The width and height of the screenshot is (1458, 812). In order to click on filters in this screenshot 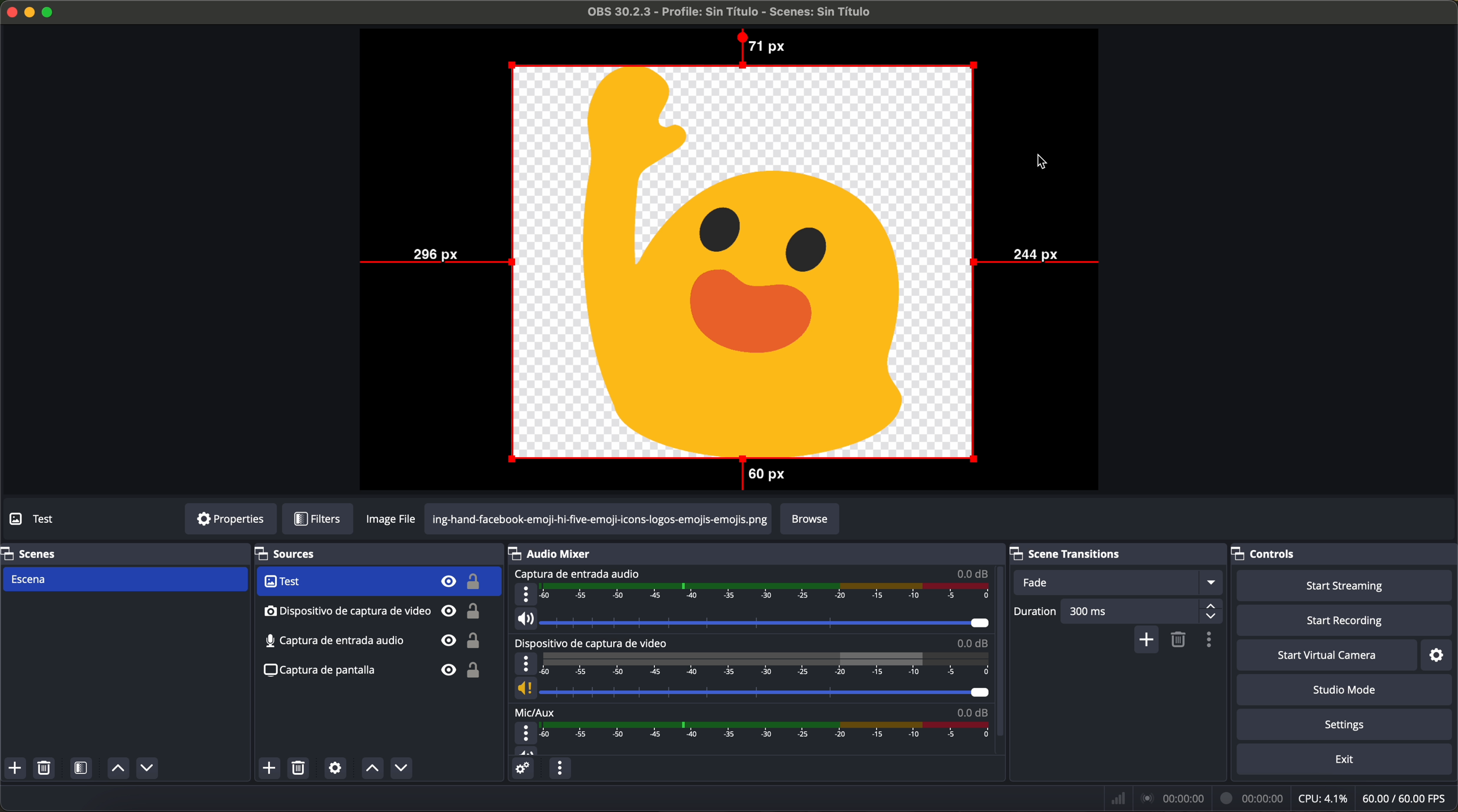, I will do `click(317, 519)`.